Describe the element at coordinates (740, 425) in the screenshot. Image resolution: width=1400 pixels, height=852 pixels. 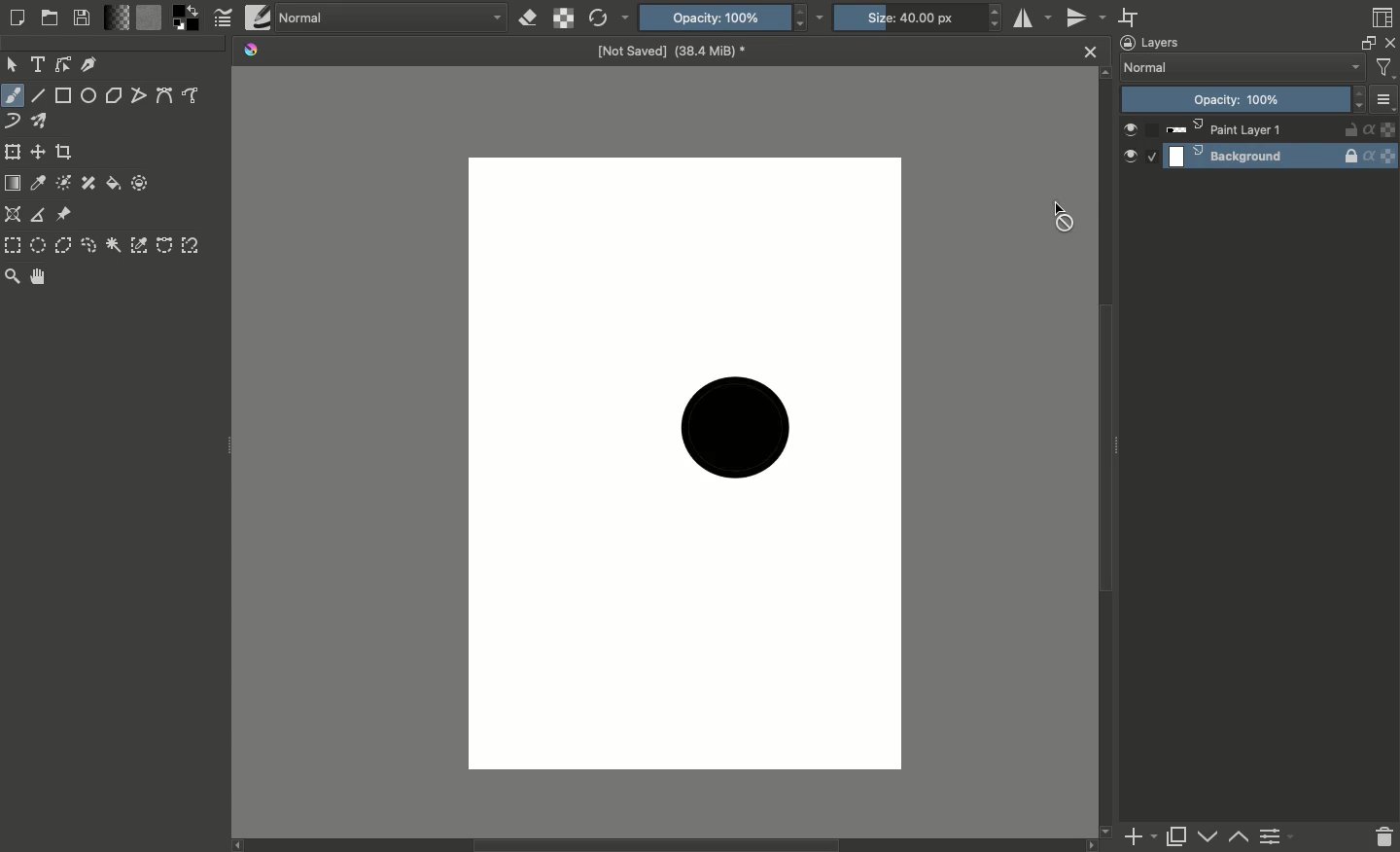
I see `Circle` at that location.